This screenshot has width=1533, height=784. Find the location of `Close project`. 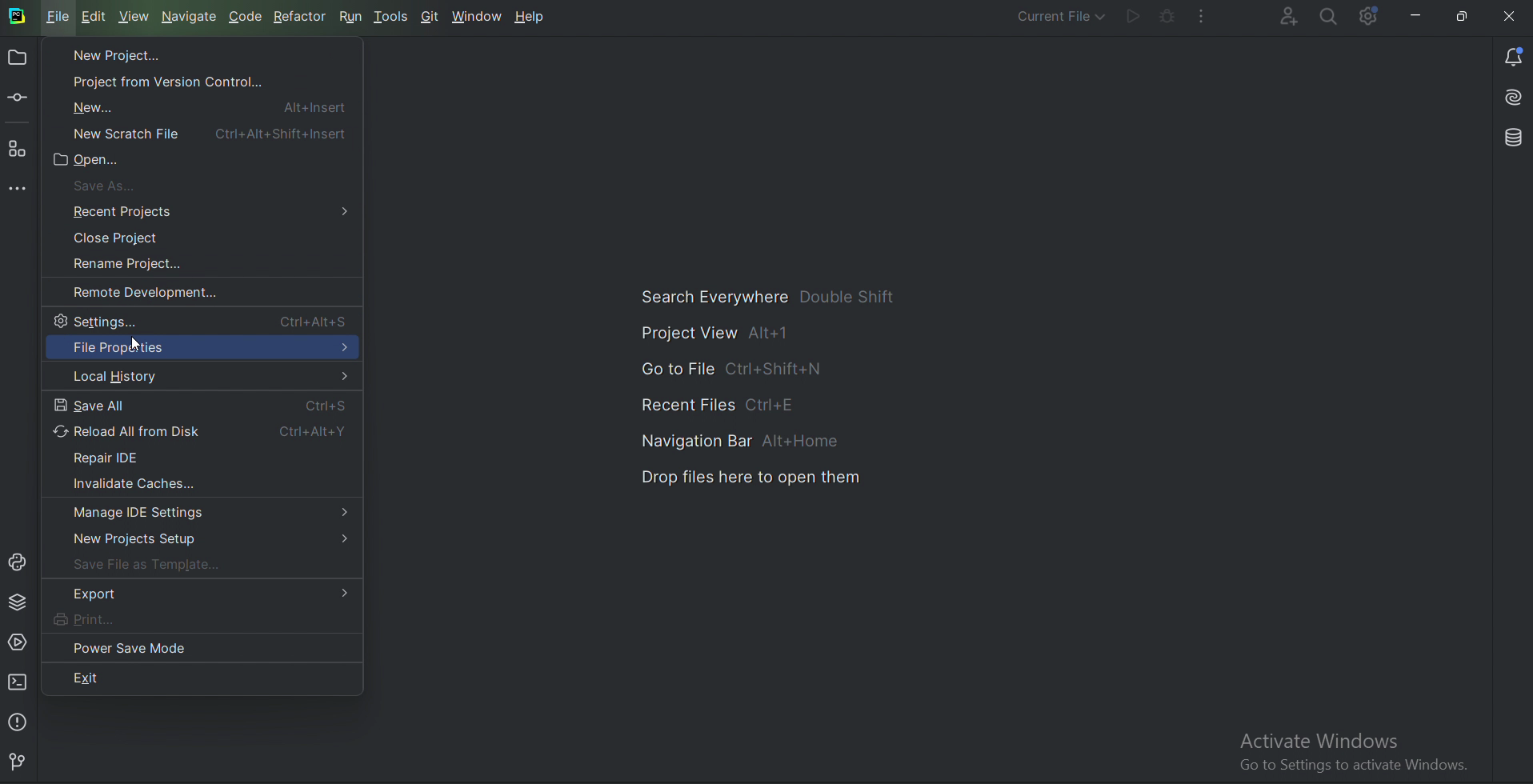

Close project is located at coordinates (127, 238).